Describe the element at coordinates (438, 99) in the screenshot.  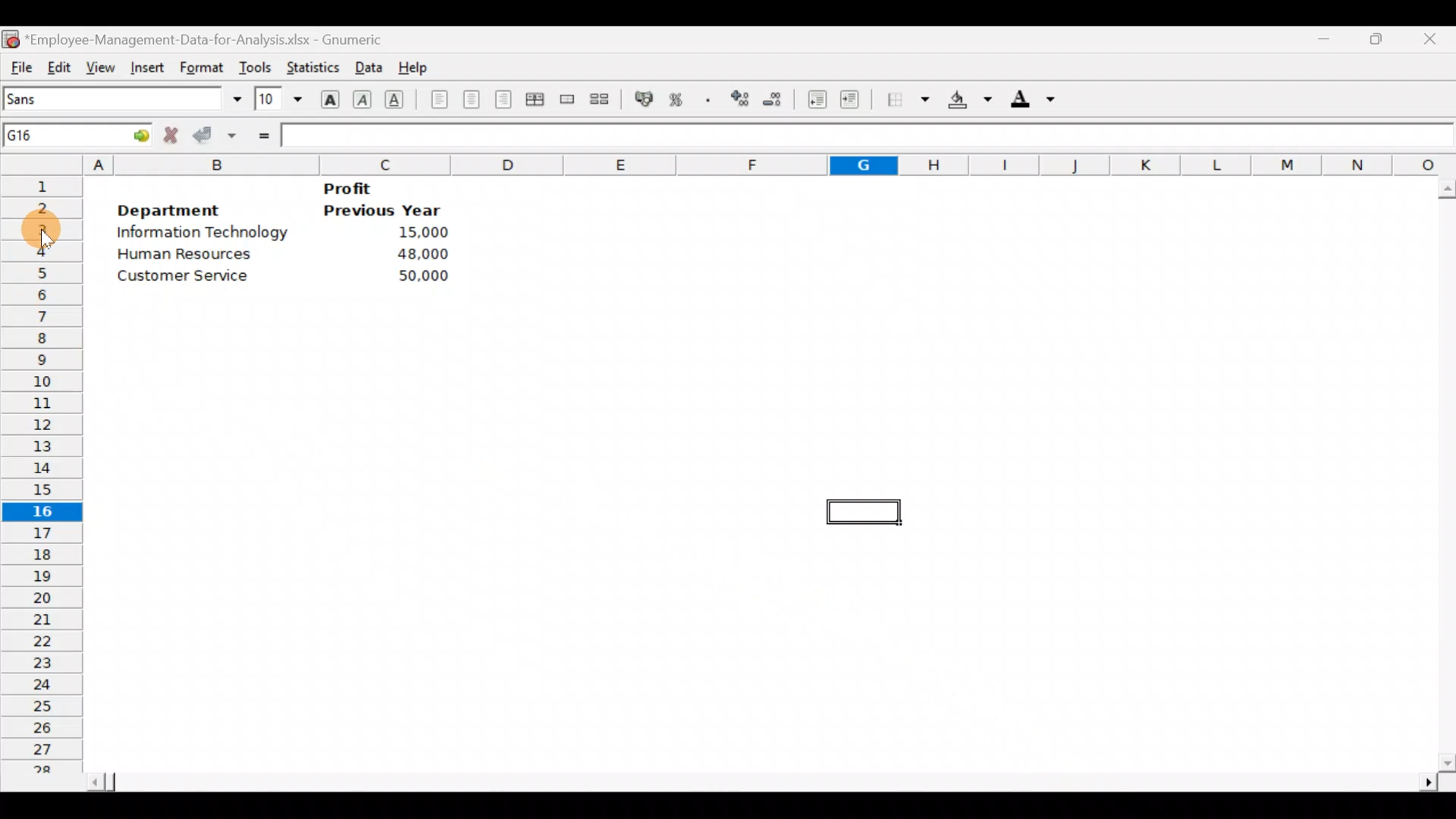
I see `Align left` at that location.